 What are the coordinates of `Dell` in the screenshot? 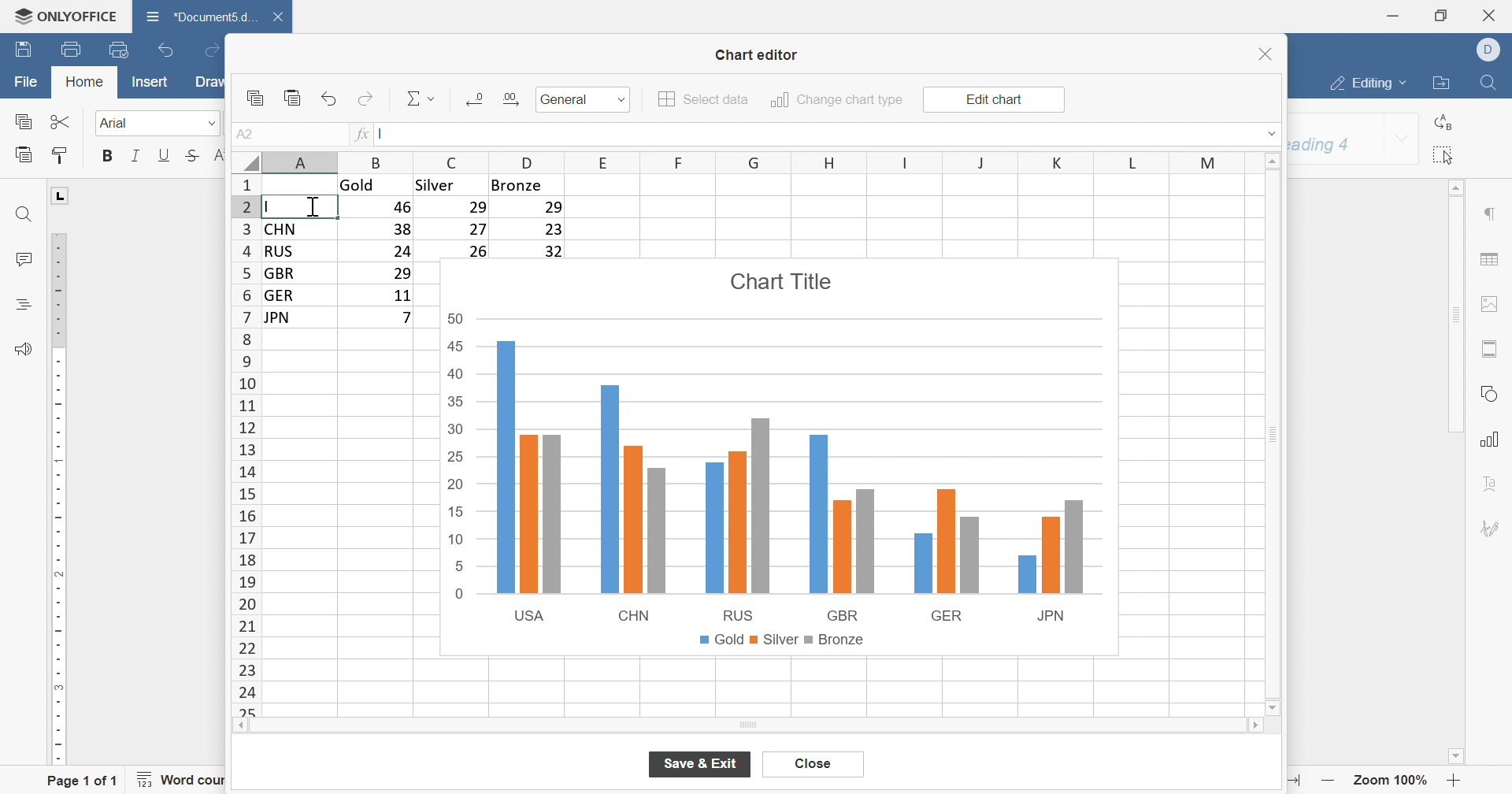 It's located at (1491, 49).